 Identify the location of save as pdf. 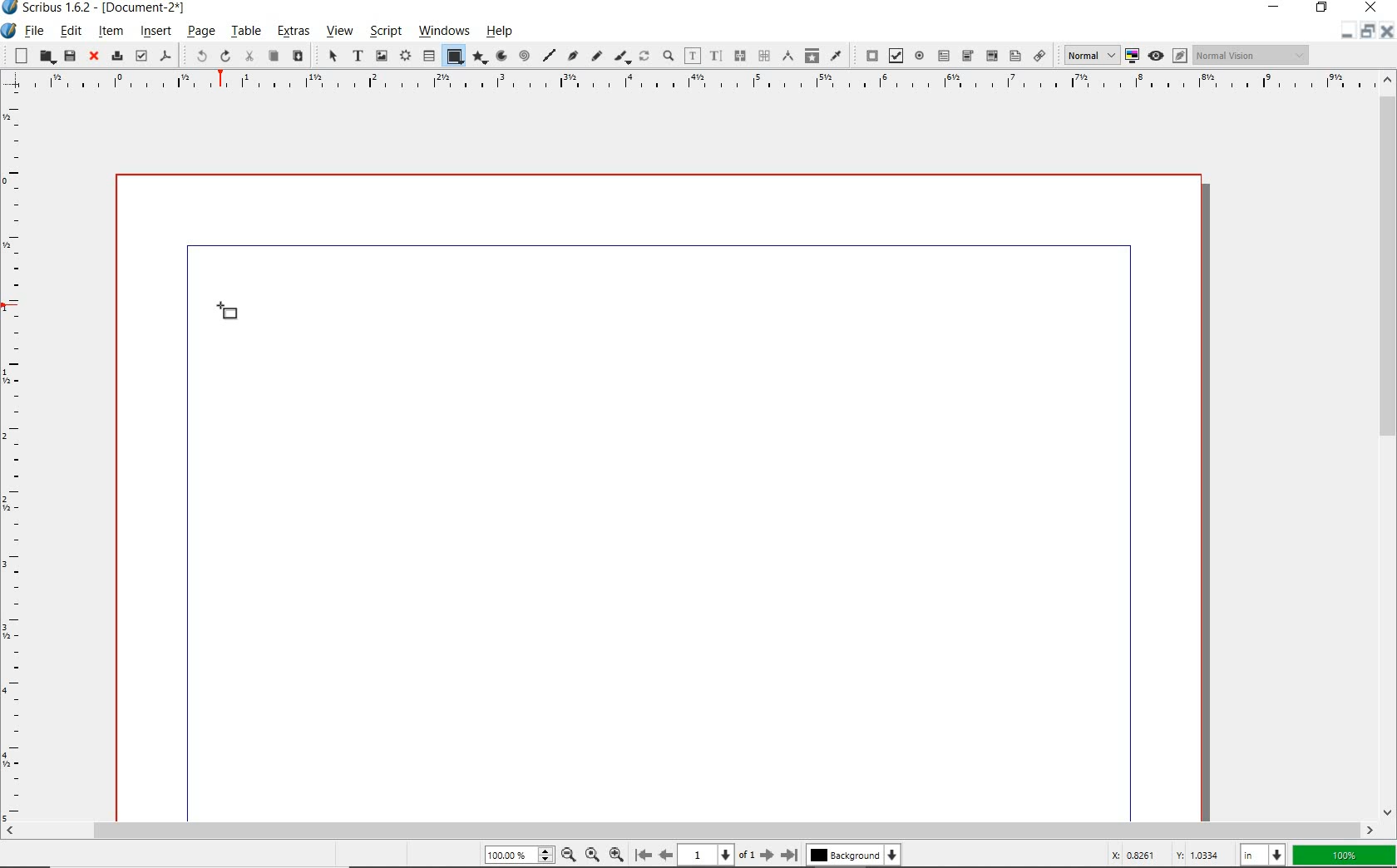
(166, 57).